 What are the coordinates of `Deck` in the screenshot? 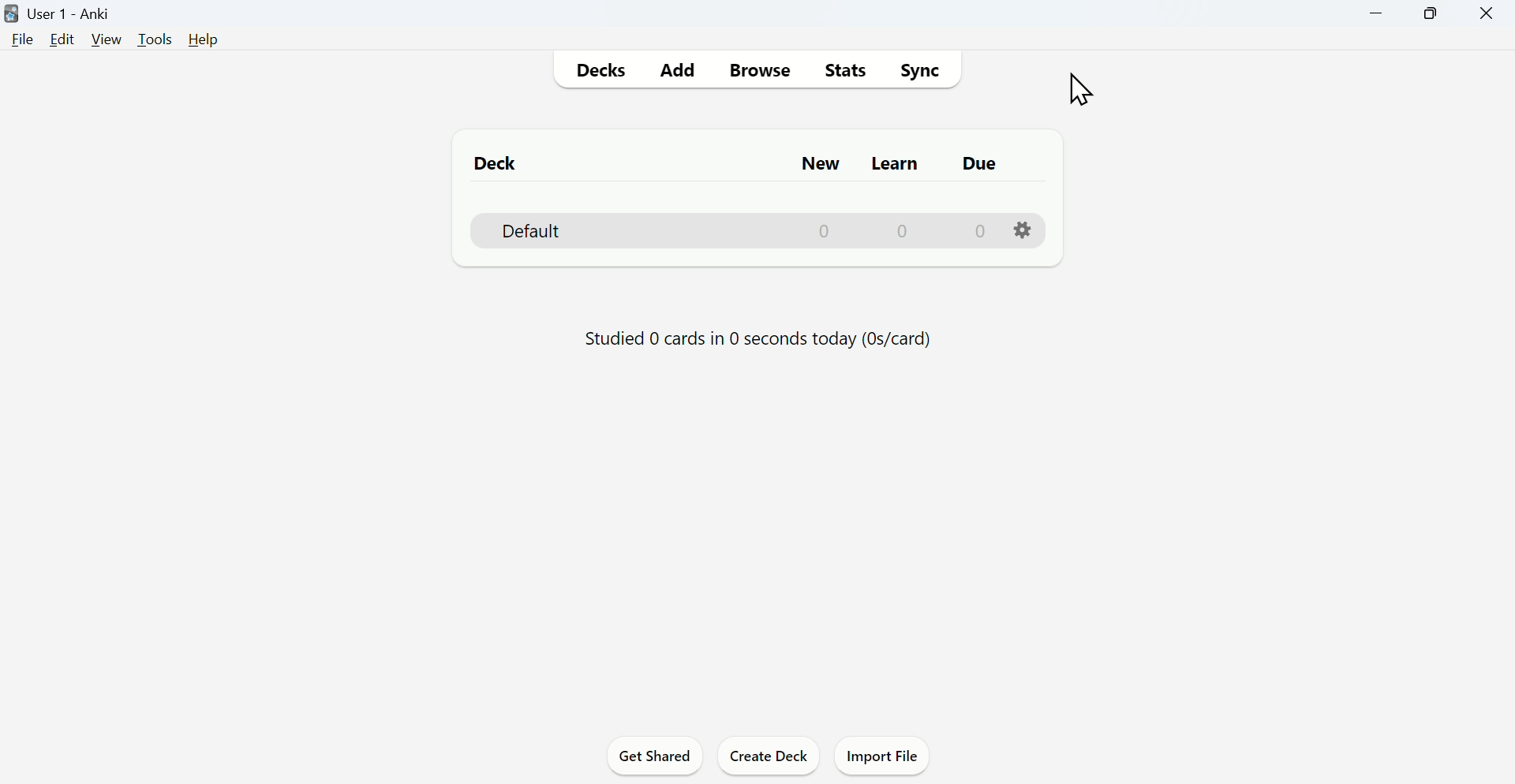 It's located at (498, 162).